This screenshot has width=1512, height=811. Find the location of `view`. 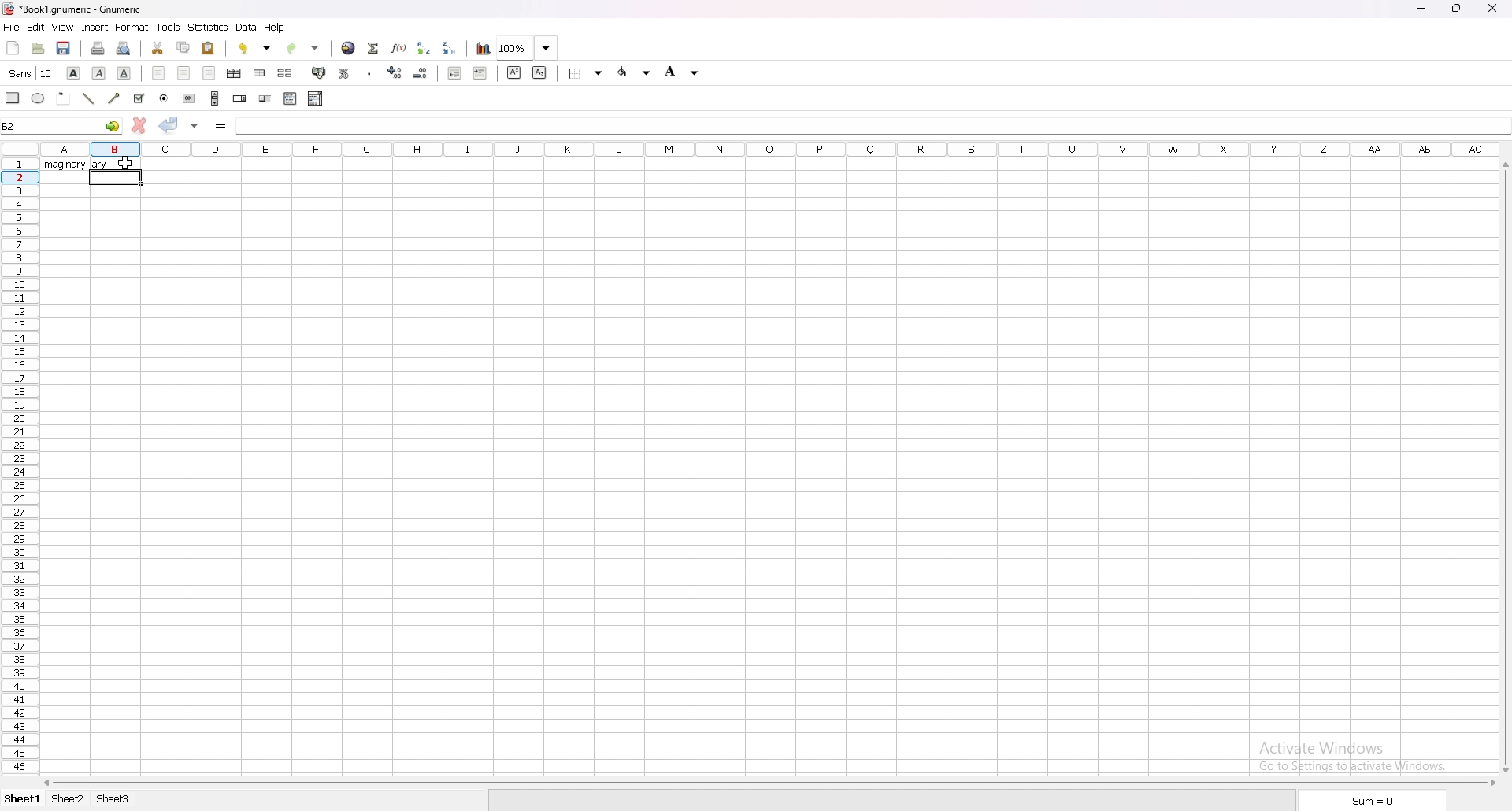

view is located at coordinates (62, 28).